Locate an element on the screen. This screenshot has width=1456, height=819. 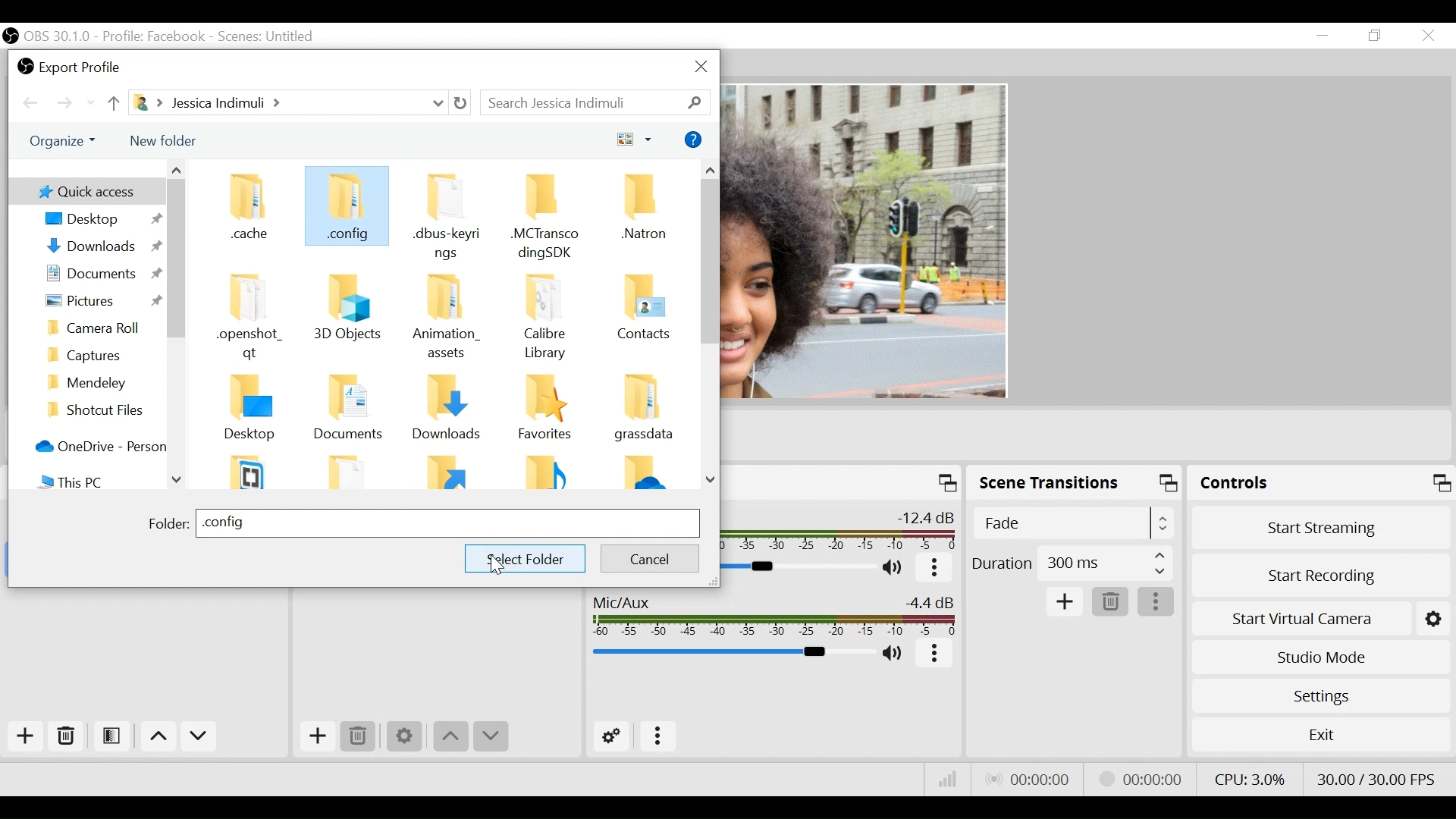
Folder is located at coordinates (643, 413).